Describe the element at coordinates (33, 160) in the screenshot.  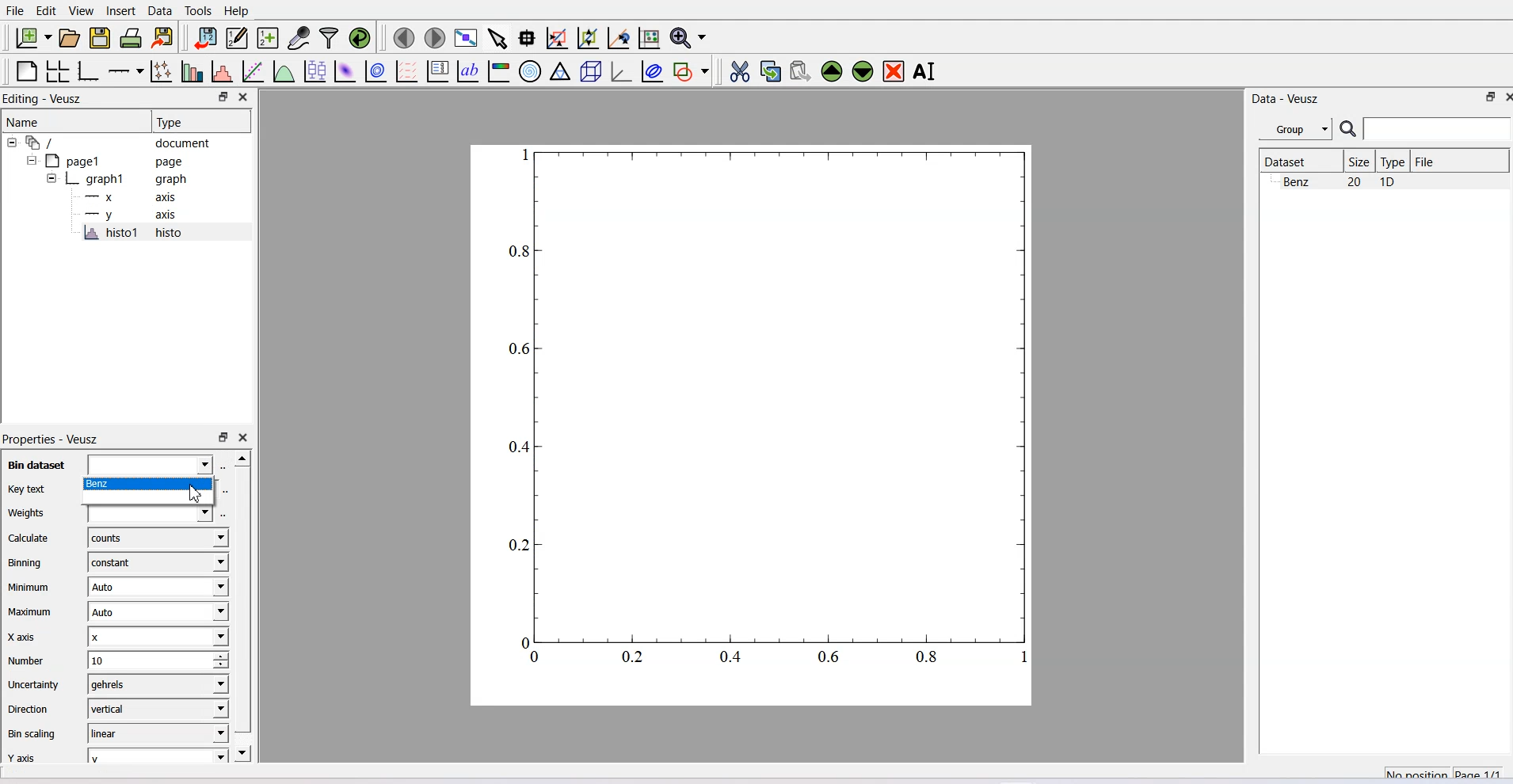
I see `Collapse` at that location.